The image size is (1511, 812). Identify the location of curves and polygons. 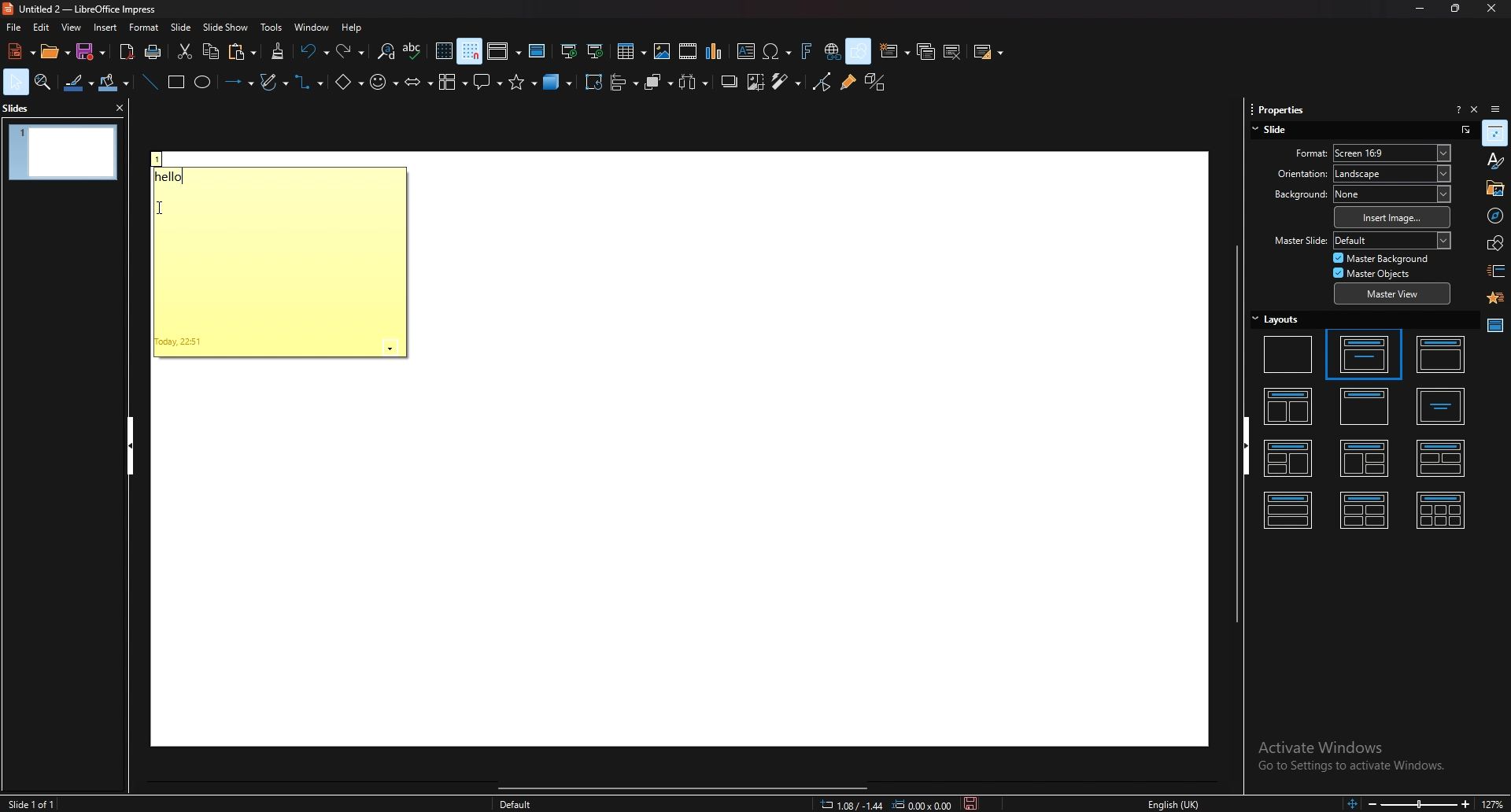
(275, 81).